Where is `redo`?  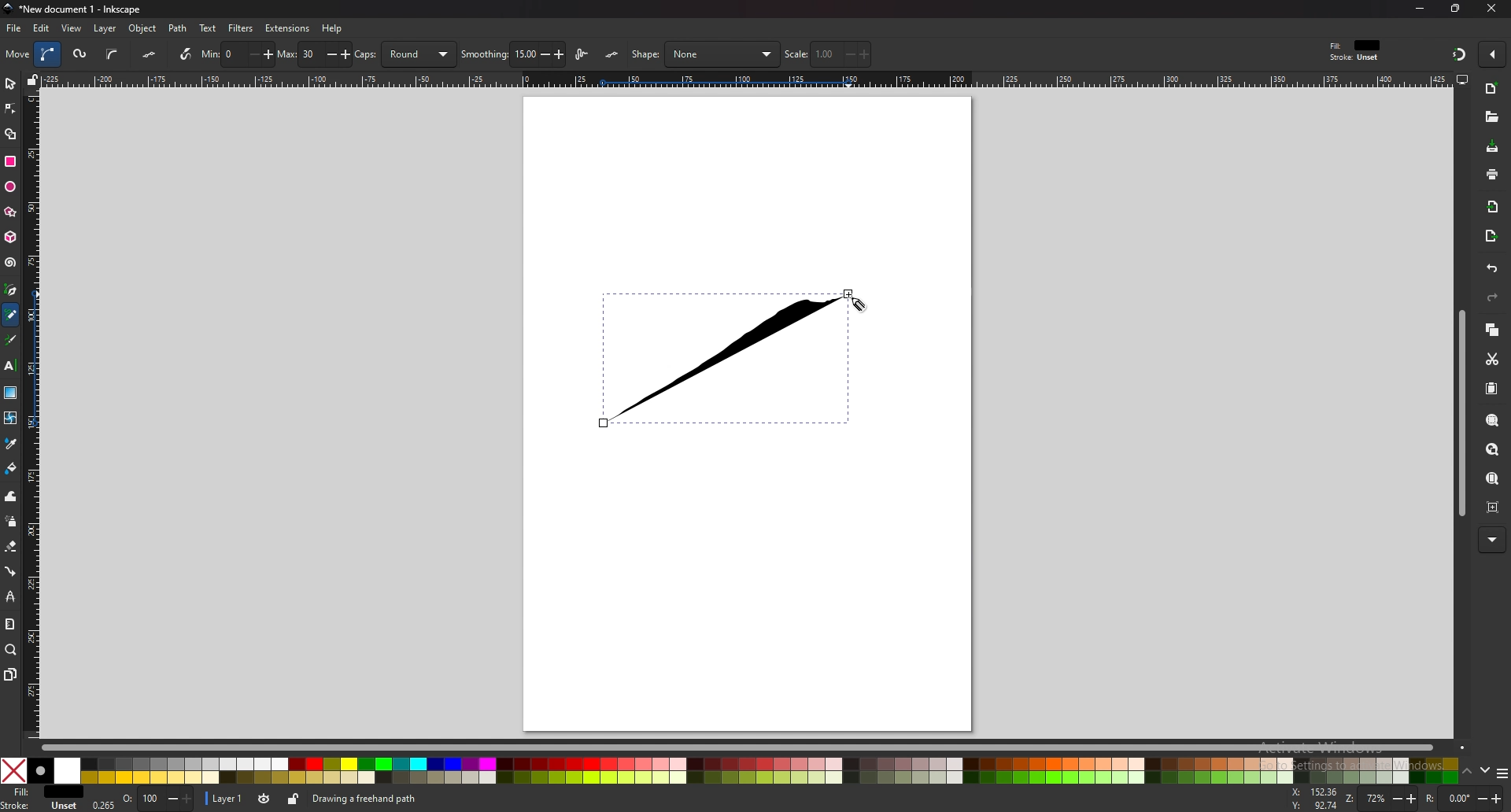
redo is located at coordinates (1492, 298).